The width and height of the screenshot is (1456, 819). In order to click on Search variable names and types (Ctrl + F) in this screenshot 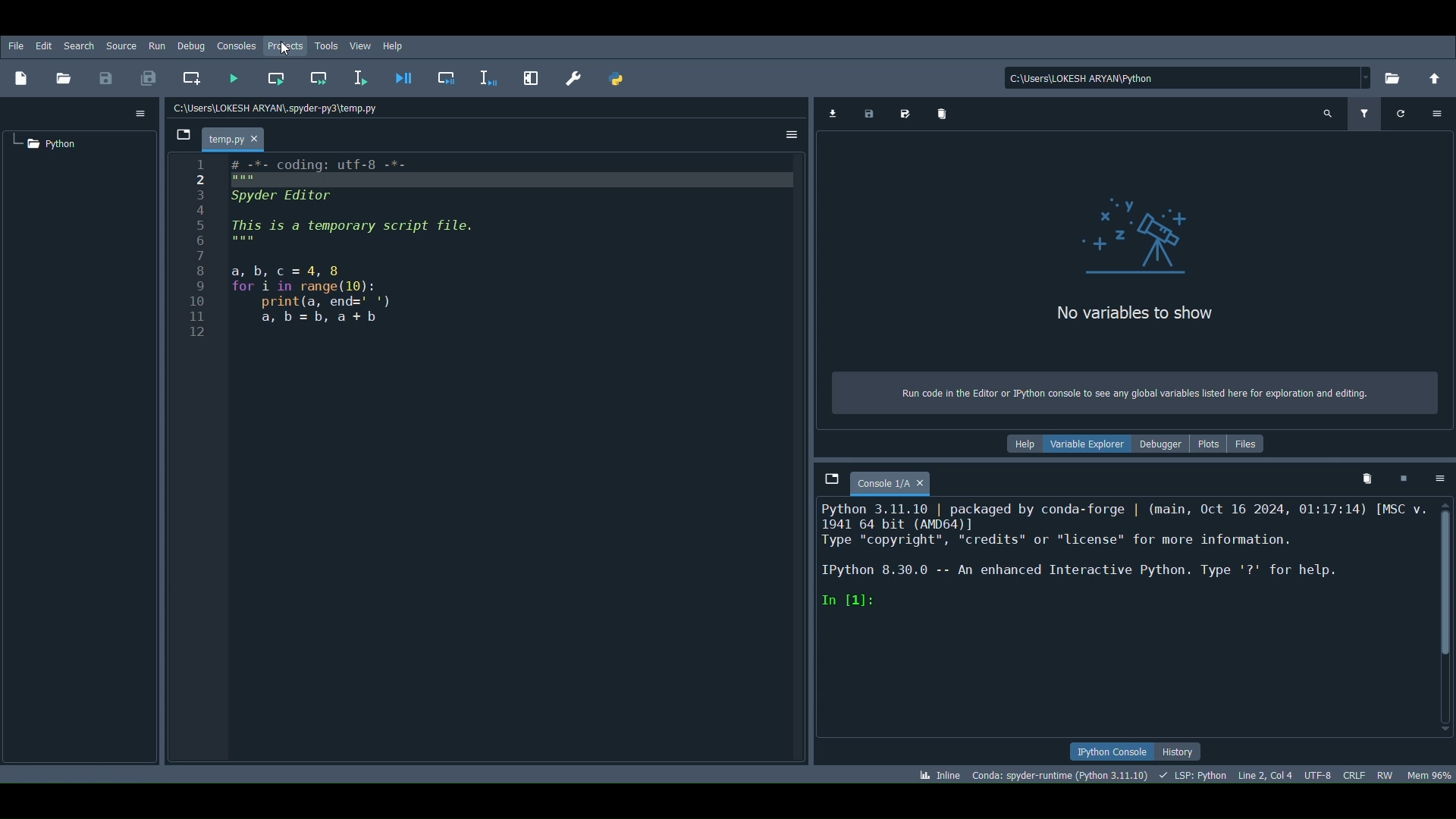, I will do `click(1328, 114)`.